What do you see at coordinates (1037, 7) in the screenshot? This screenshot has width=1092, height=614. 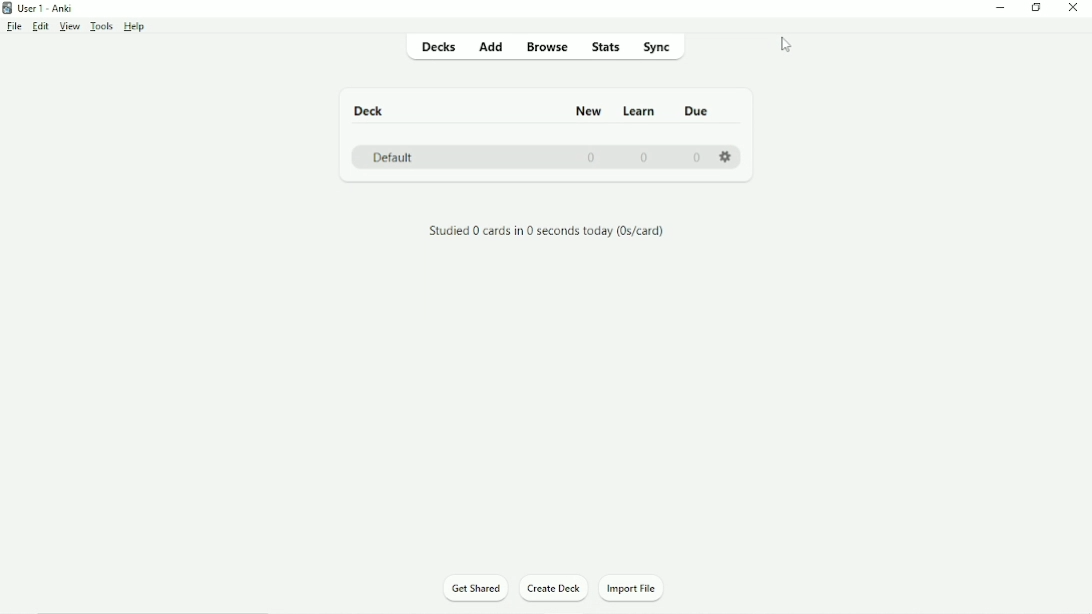 I see `Restore down` at bounding box center [1037, 7].